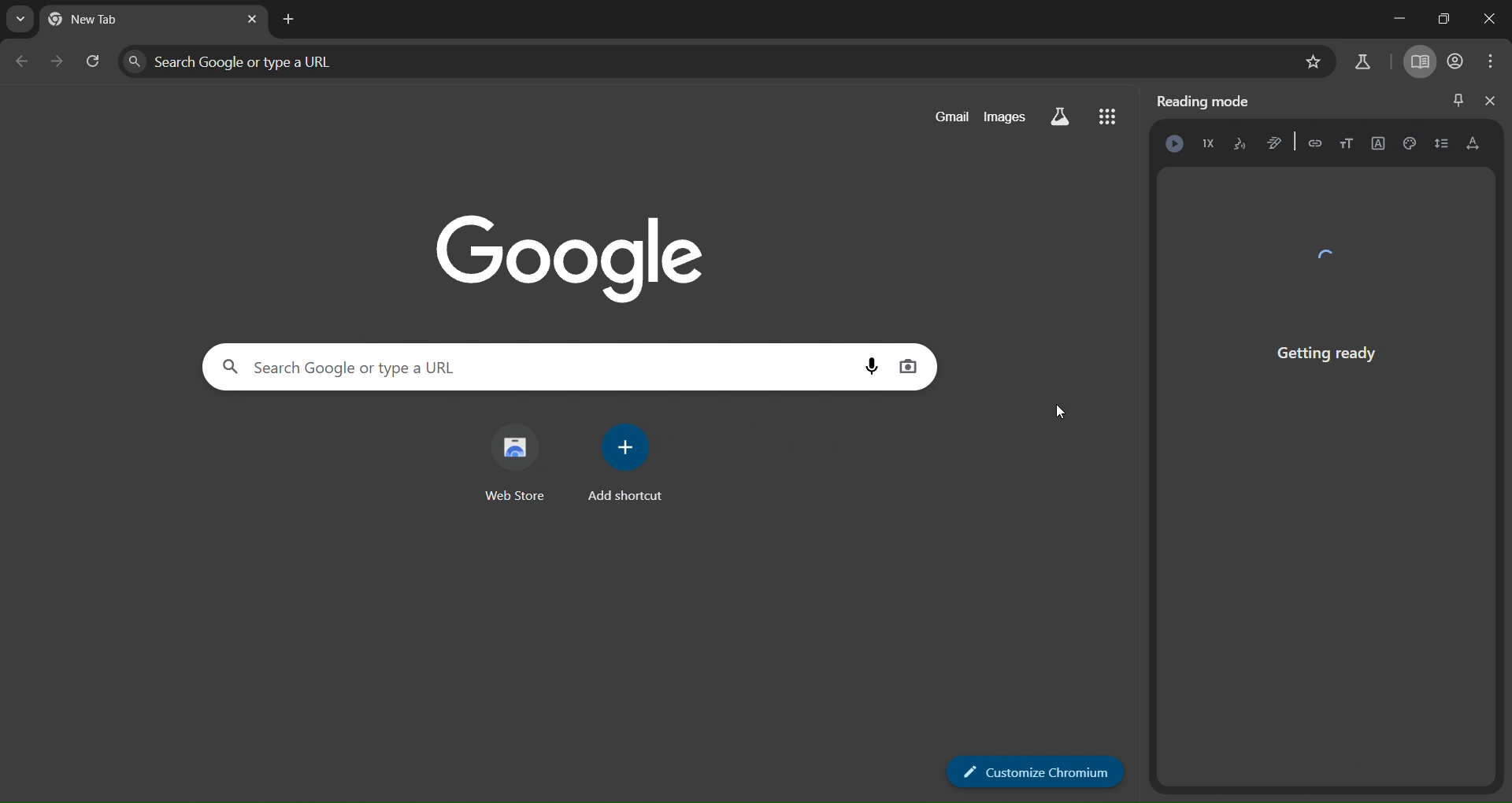 The width and height of the screenshot is (1512, 803). I want to click on images, so click(1008, 115).